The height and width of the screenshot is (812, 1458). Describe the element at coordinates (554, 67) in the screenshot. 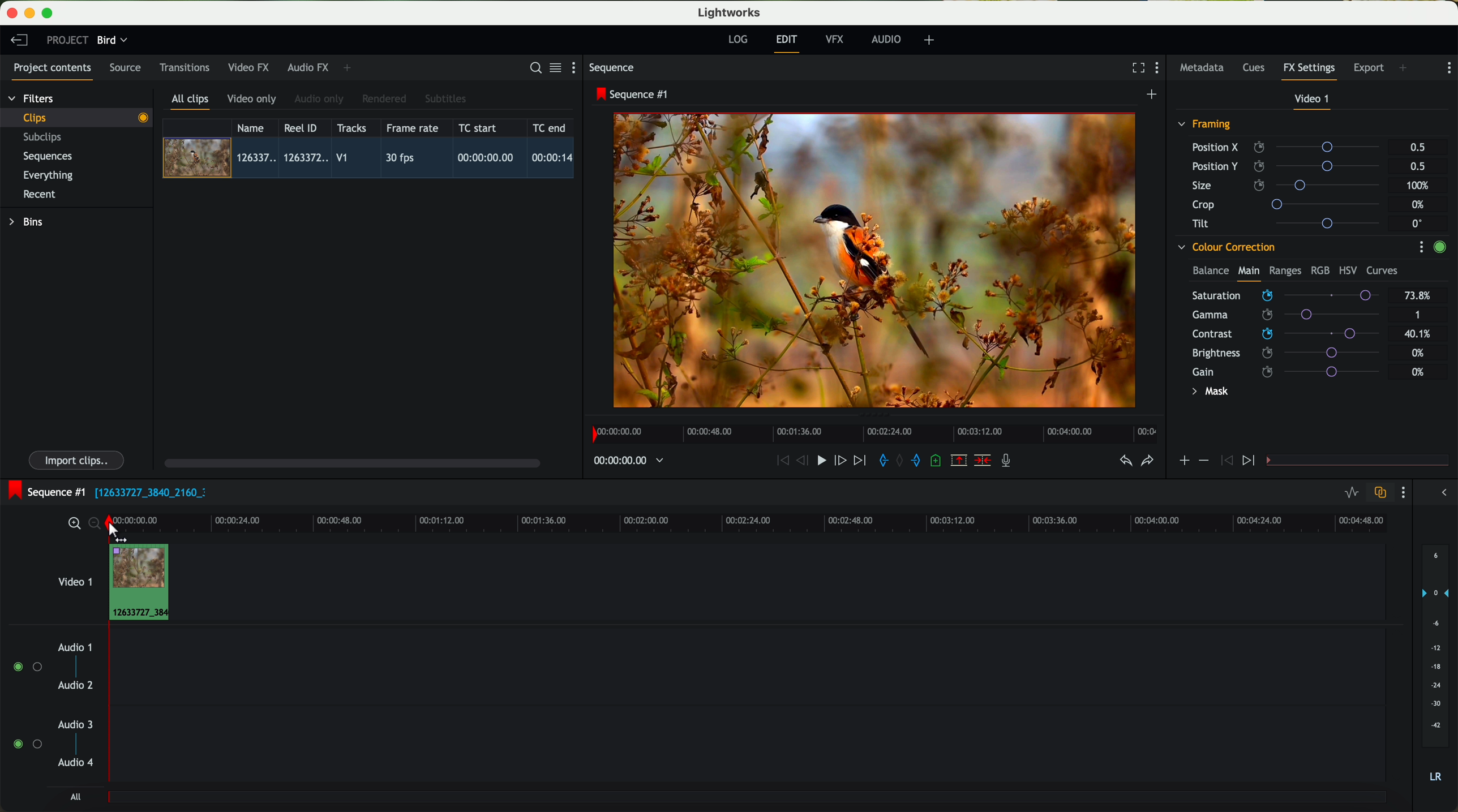

I see `toggle between list and title view` at that location.